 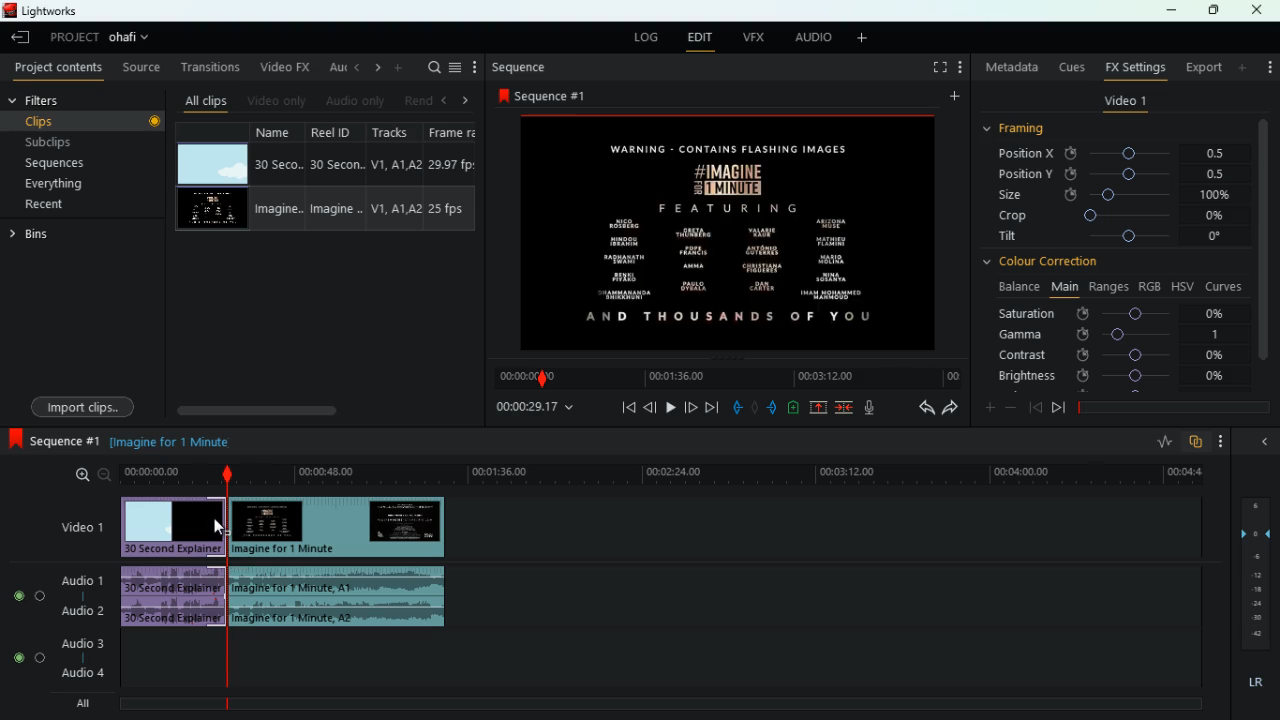 What do you see at coordinates (79, 645) in the screenshot?
I see `audio 3` at bounding box center [79, 645].